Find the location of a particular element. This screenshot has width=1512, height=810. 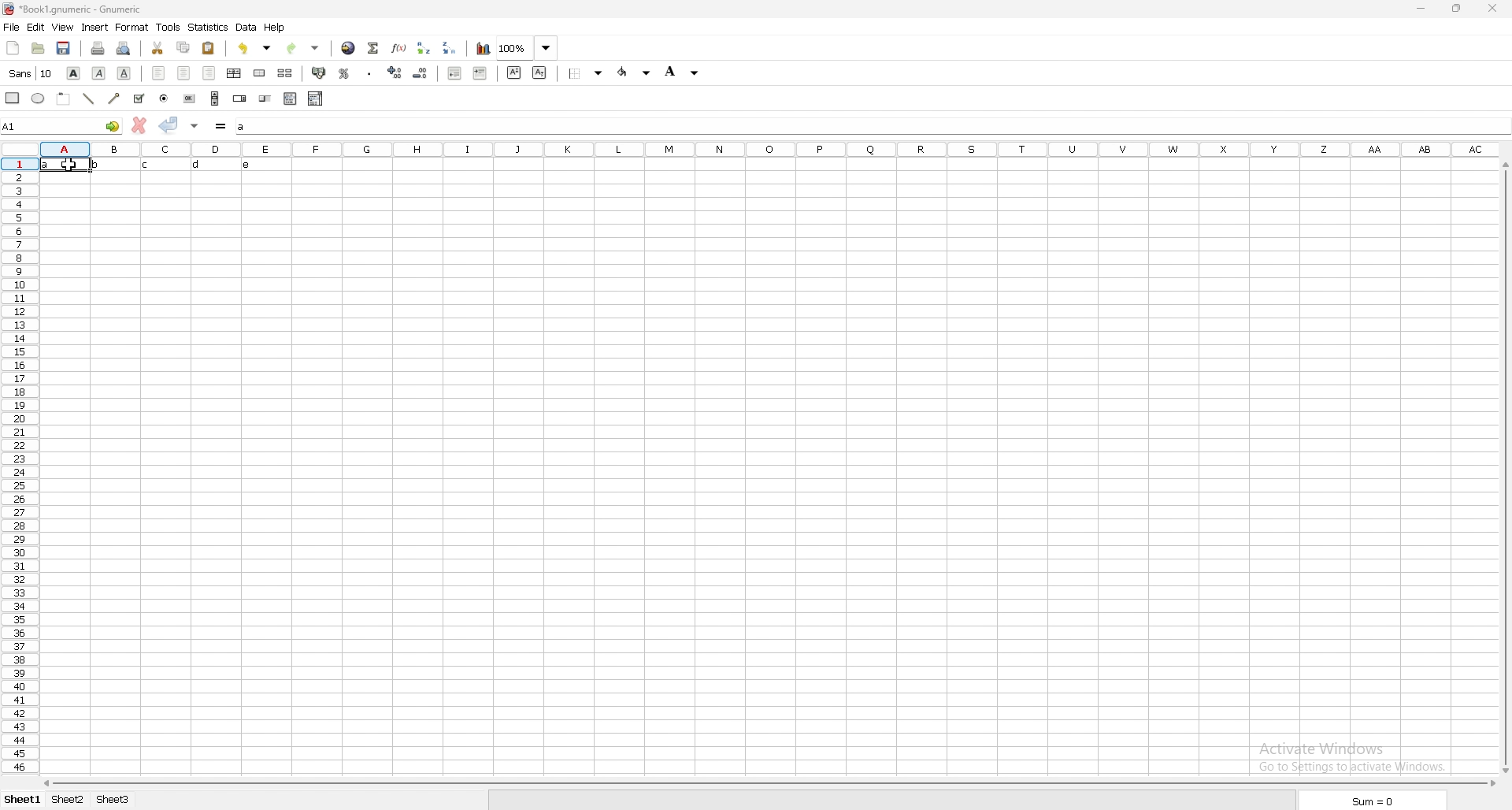

percentage is located at coordinates (345, 73).